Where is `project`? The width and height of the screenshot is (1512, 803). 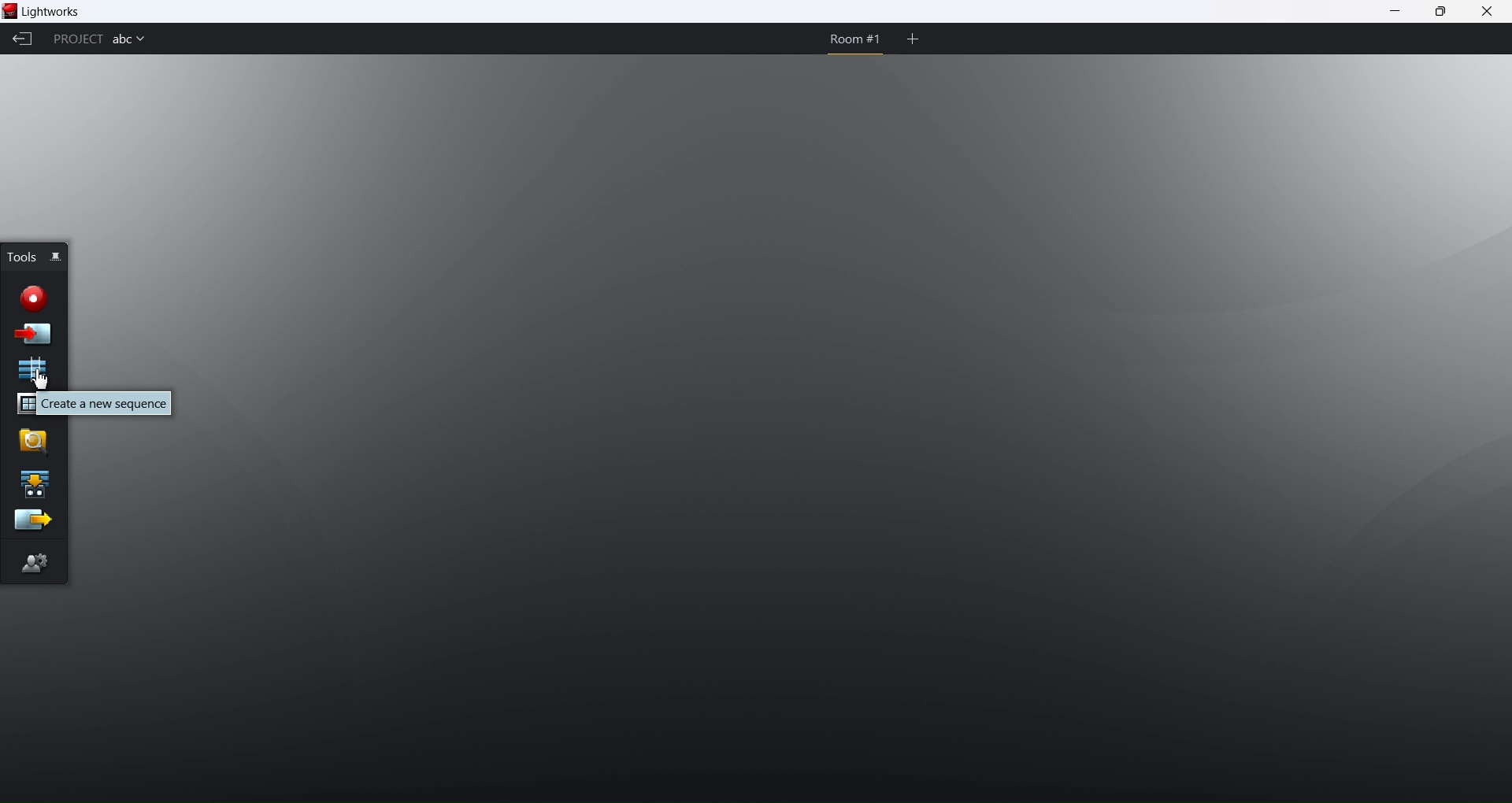 project is located at coordinates (78, 41).